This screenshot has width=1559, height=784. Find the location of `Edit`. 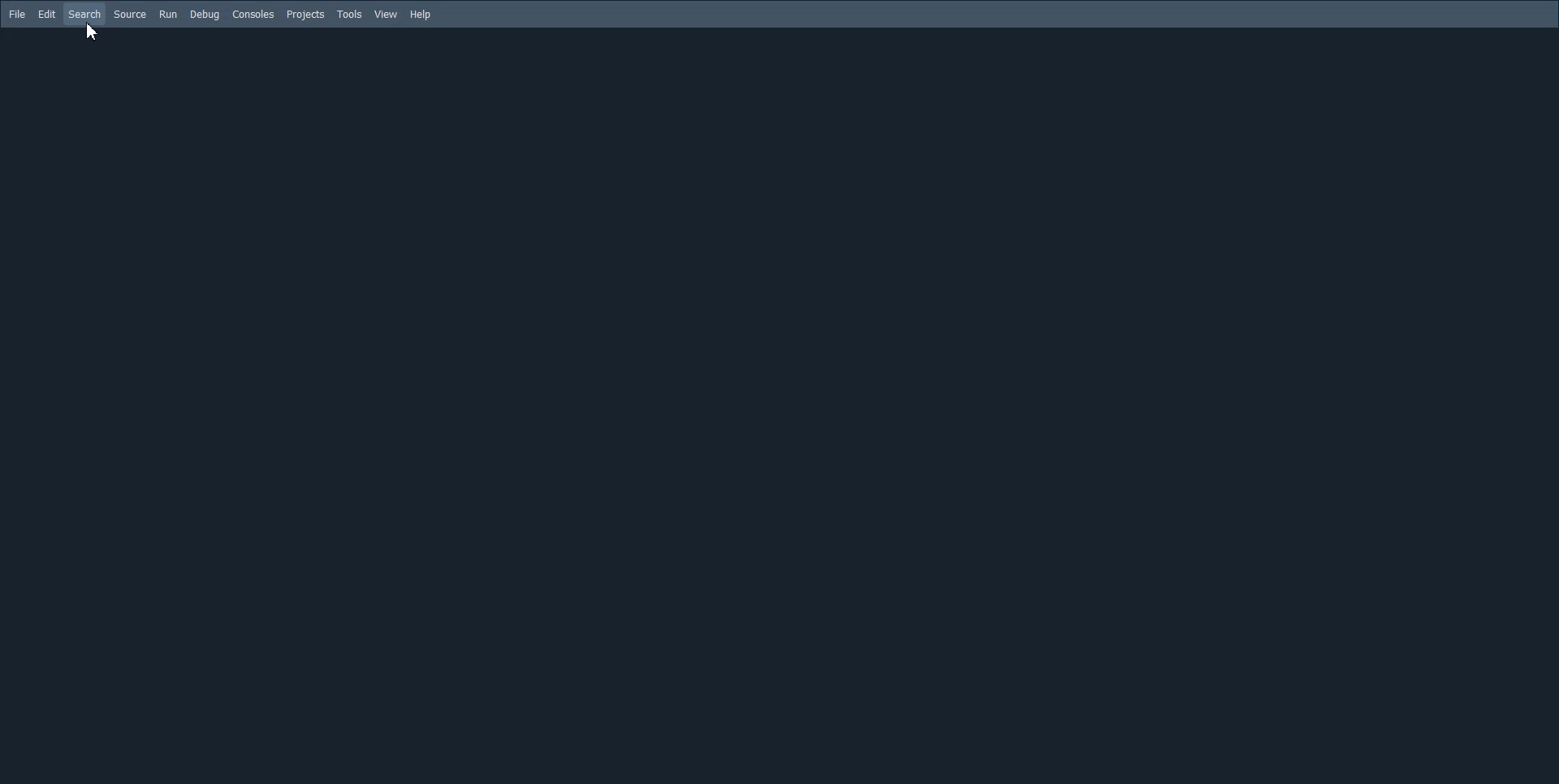

Edit is located at coordinates (46, 14).